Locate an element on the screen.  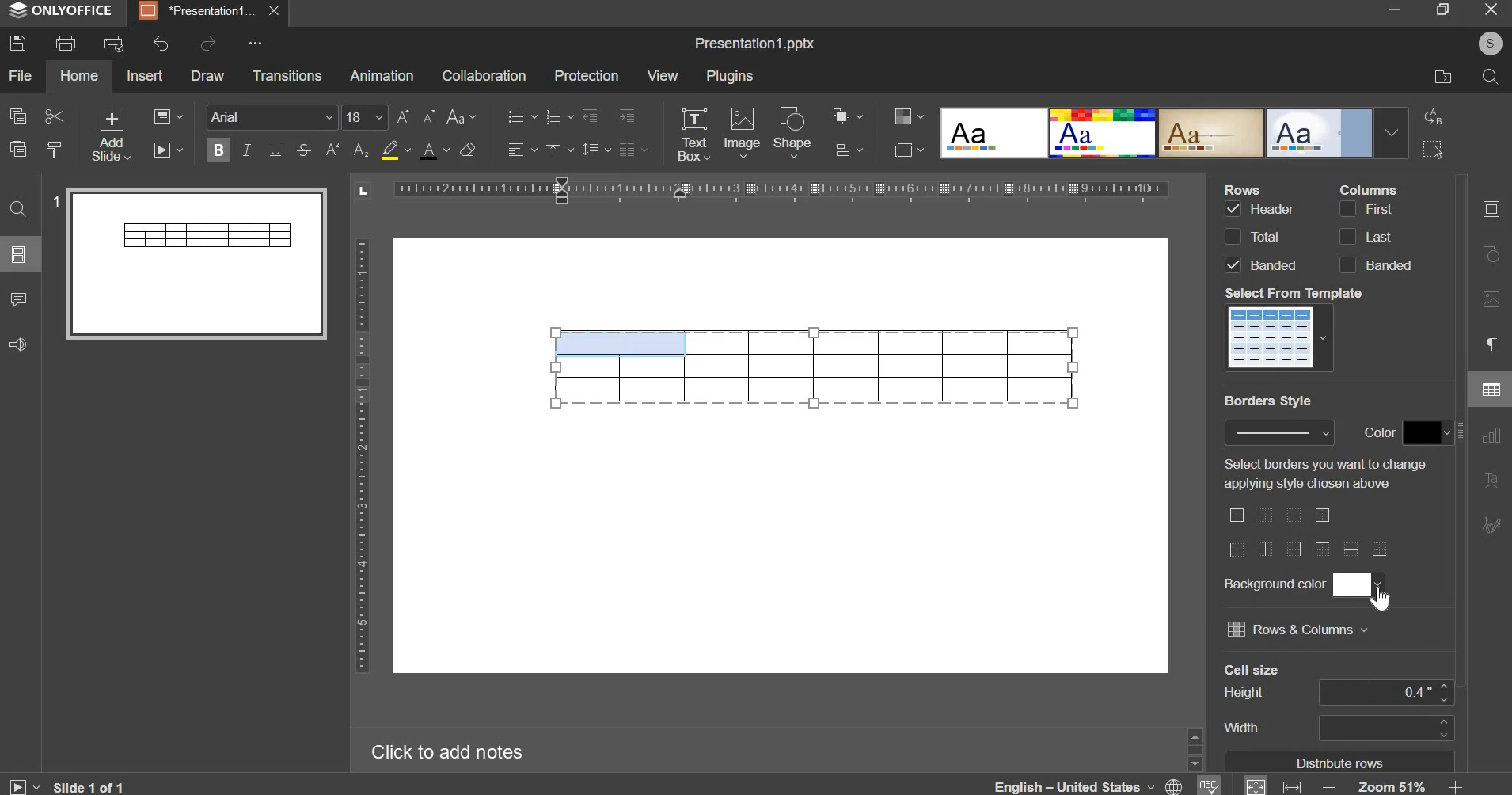
plugins is located at coordinates (731, 76).